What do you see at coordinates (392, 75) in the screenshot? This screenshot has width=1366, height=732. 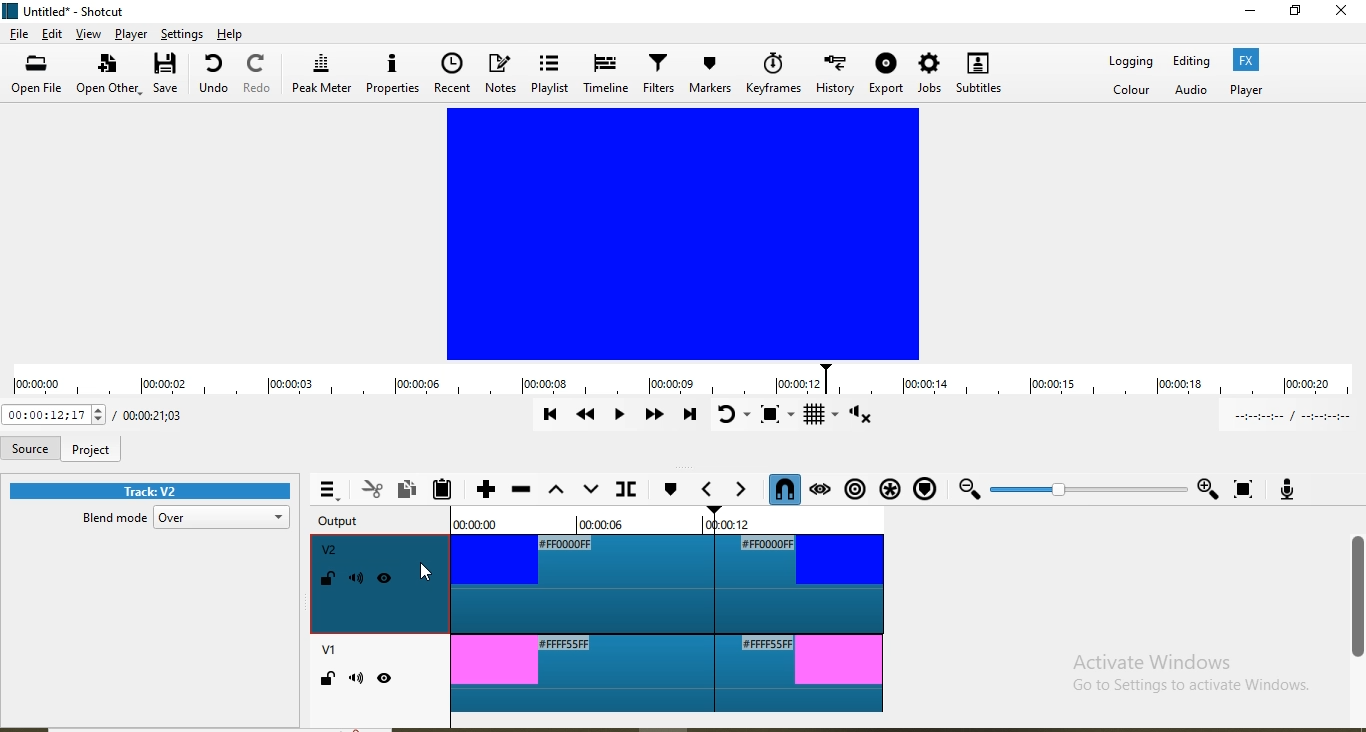 I see `Properties` at bounding box center [392, 75].